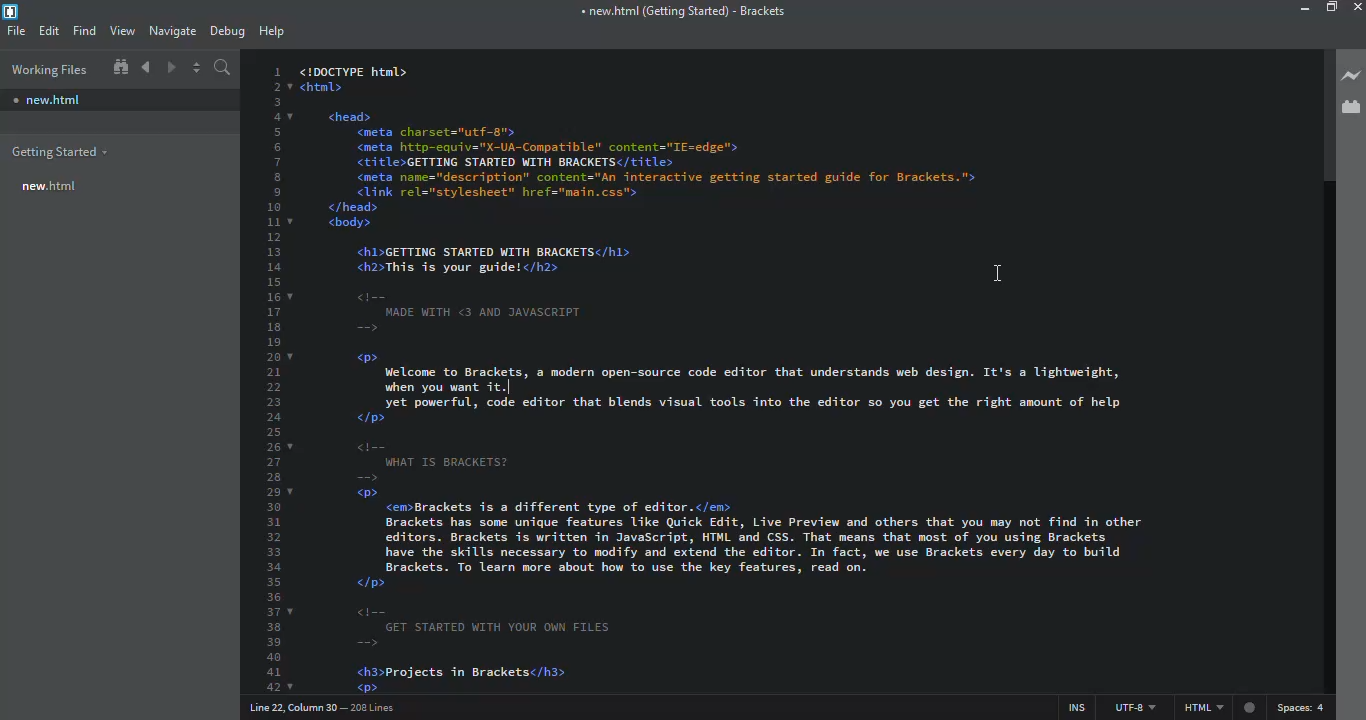 This screenshot has width=1366, height=720. What do you see at coordinates (270, 31) in the screenshot?
I see `help` at bounding box center [270, 31].